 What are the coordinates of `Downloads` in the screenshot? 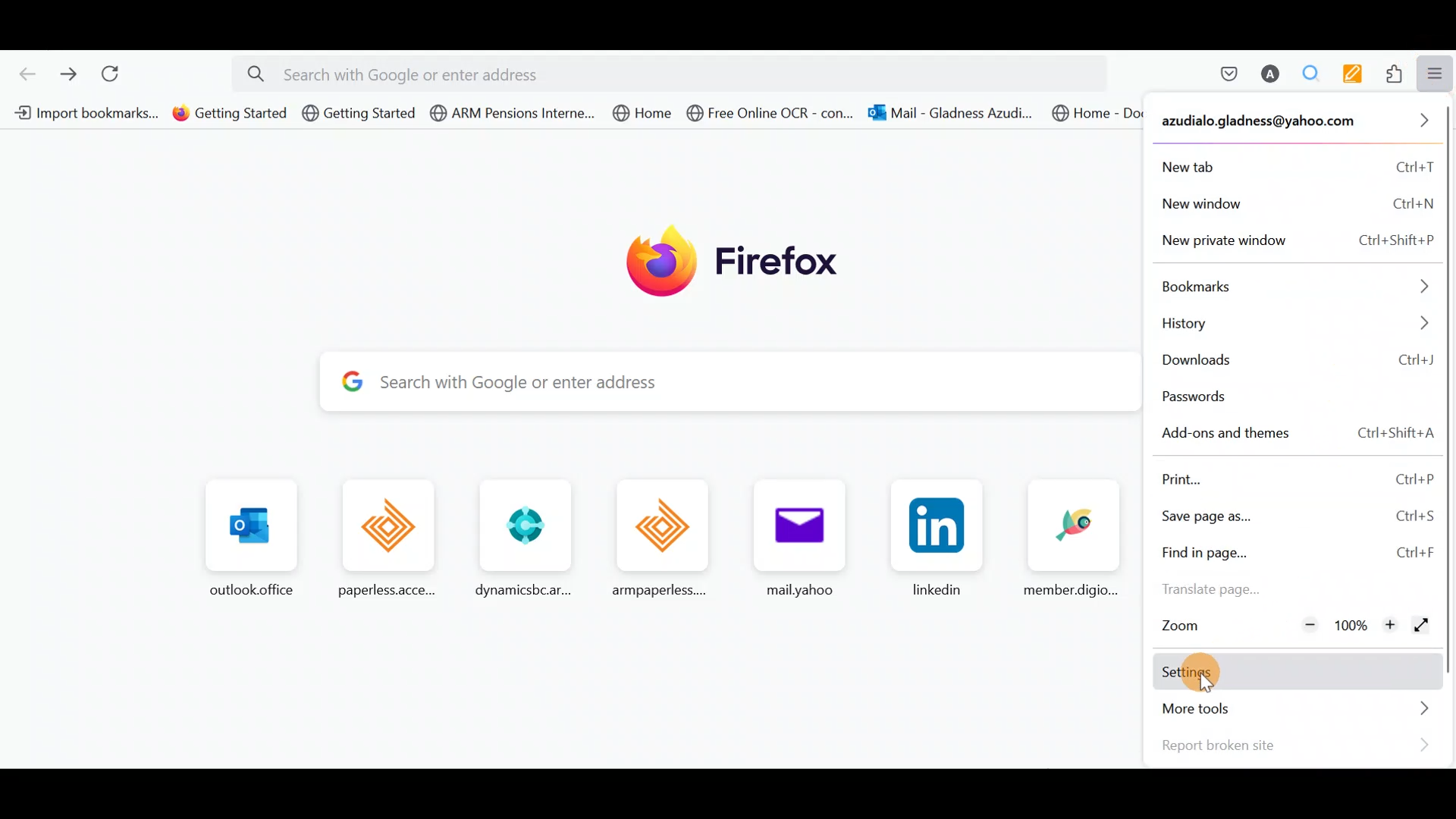 It's located at (1298, 360).